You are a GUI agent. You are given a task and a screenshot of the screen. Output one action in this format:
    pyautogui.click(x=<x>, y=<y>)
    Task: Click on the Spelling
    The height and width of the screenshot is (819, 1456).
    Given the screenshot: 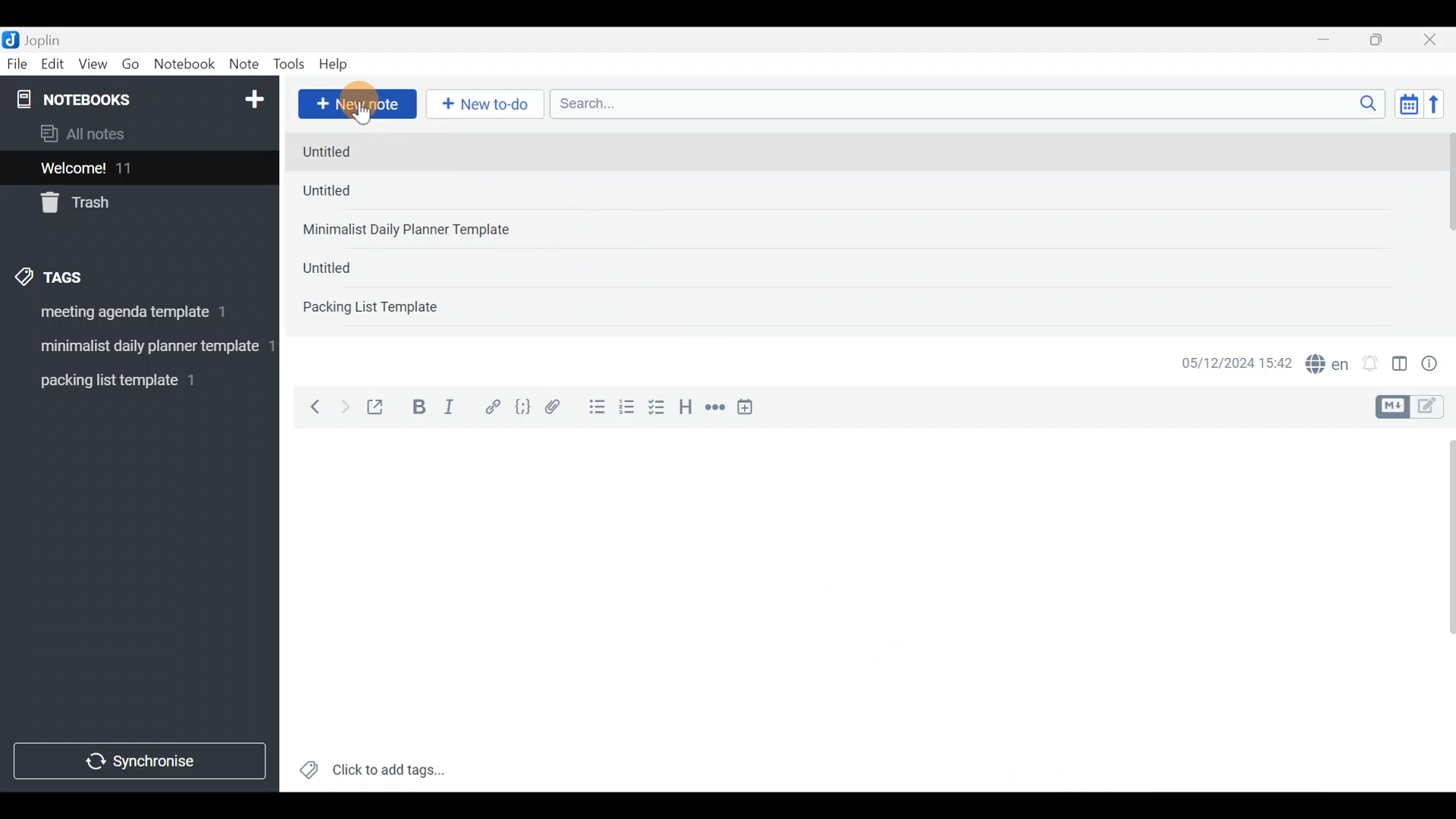 What is the action you would take?
    pyautogui.click(x=1328, y=366)
    